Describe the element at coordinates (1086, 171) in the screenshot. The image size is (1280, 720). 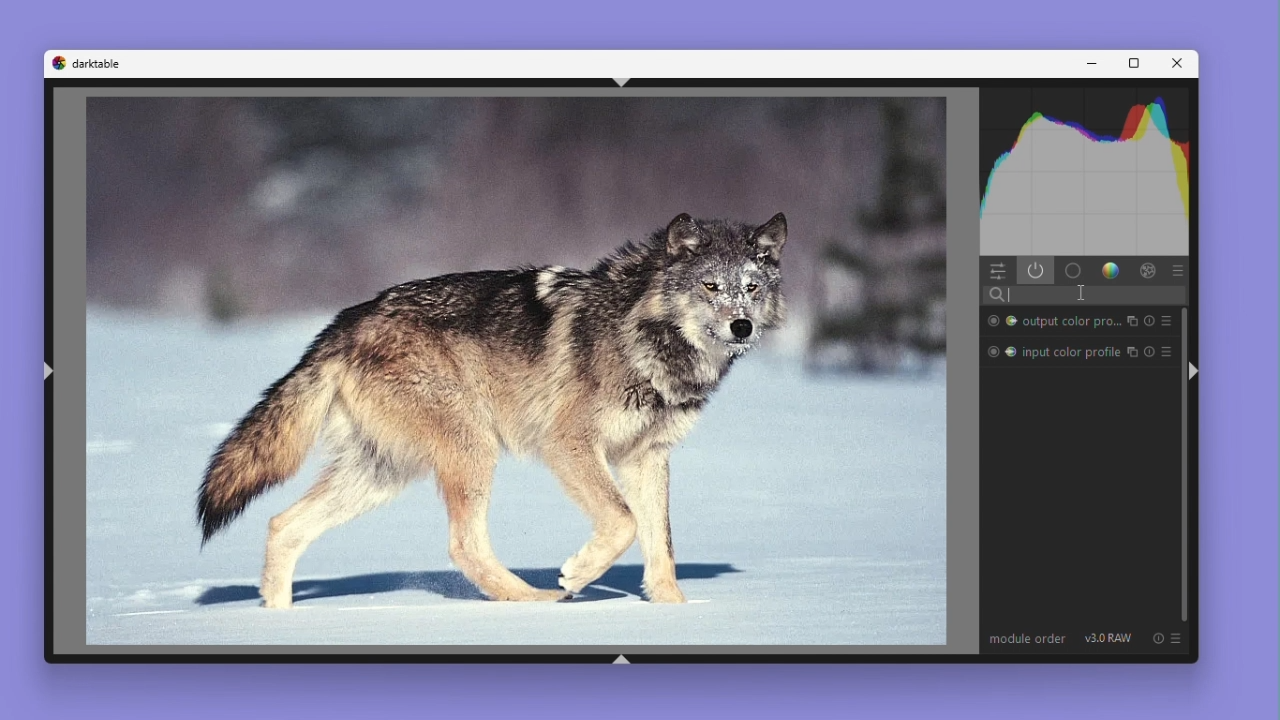
I see `Histogram` at that location.